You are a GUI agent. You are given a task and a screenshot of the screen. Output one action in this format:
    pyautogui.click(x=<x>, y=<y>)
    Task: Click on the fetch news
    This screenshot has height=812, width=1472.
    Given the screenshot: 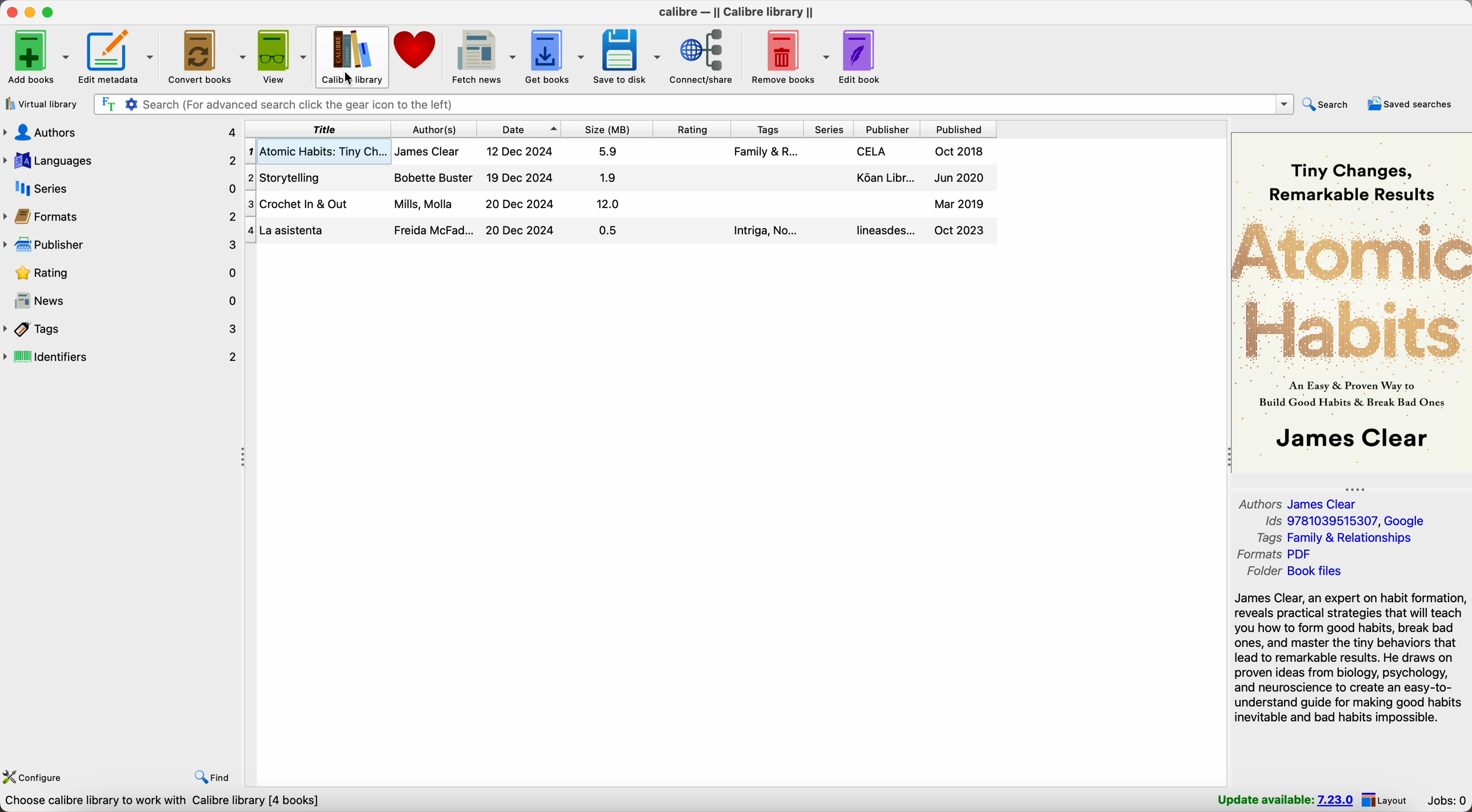 What is the action you would take?
    pyautogui.click(x=483, y=56)
    